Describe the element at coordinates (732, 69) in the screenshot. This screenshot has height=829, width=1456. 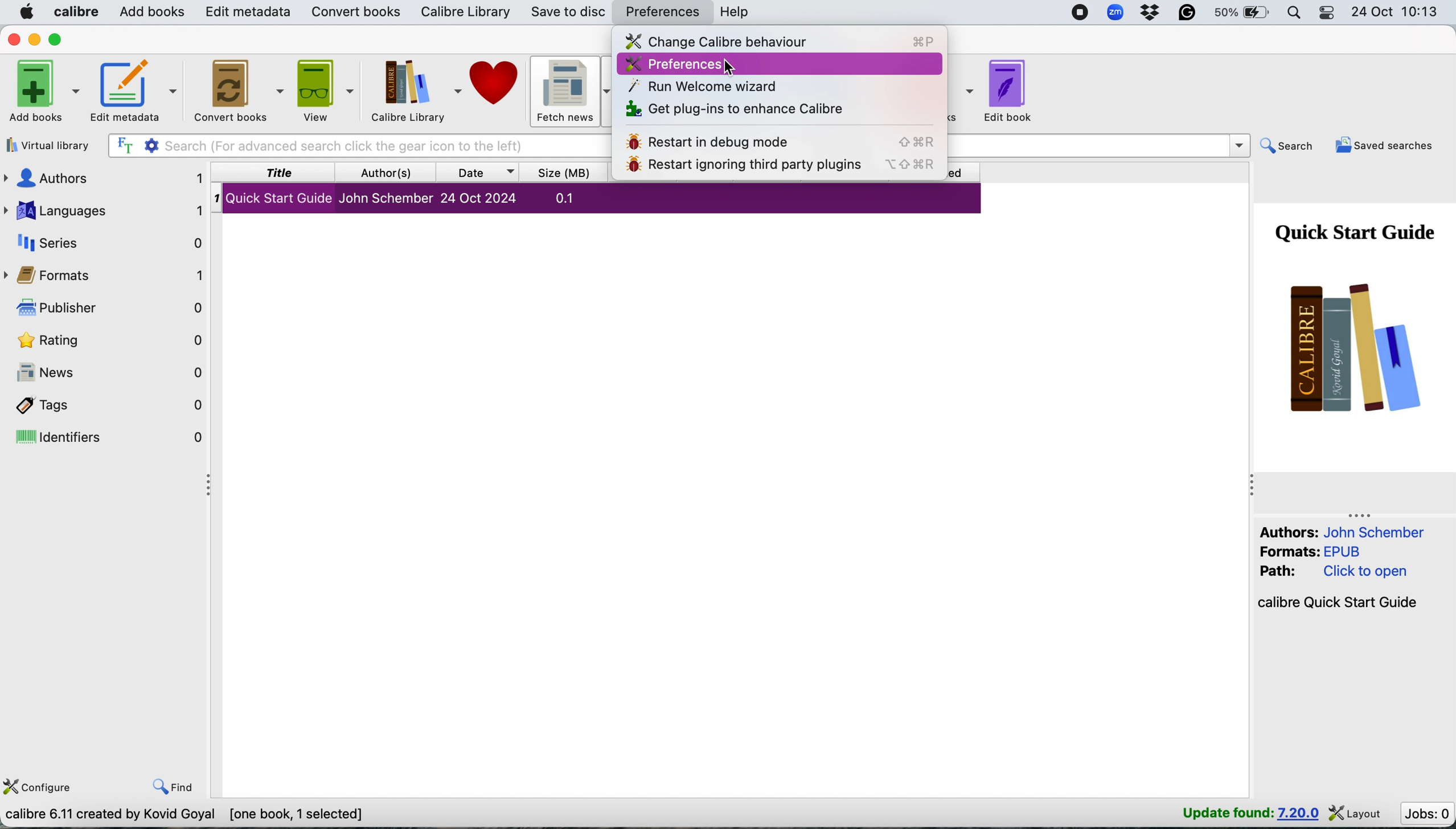
I see `cursor` at that location.